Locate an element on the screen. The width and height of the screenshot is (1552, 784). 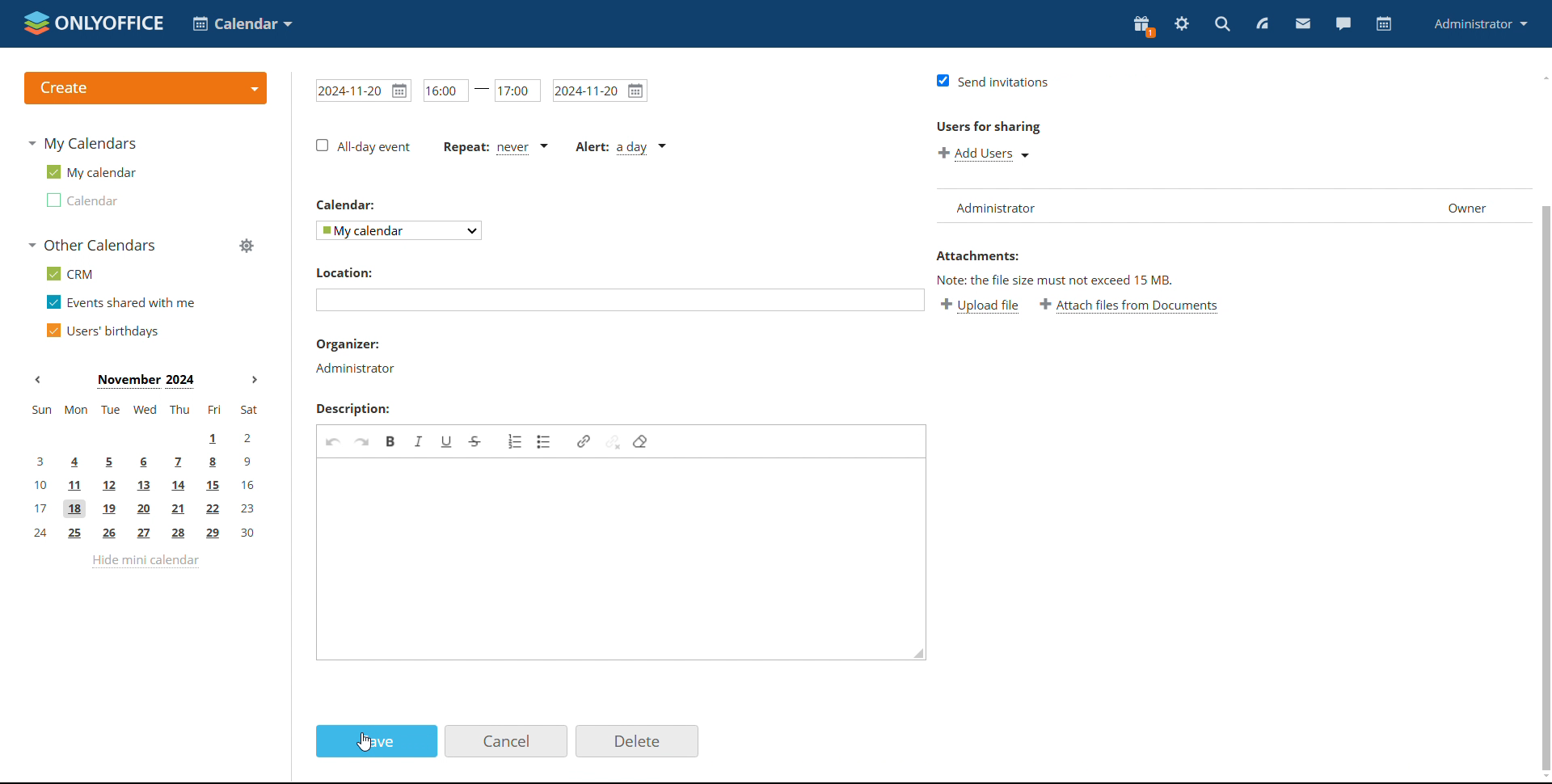
crm is located at coordinates (67, 273).